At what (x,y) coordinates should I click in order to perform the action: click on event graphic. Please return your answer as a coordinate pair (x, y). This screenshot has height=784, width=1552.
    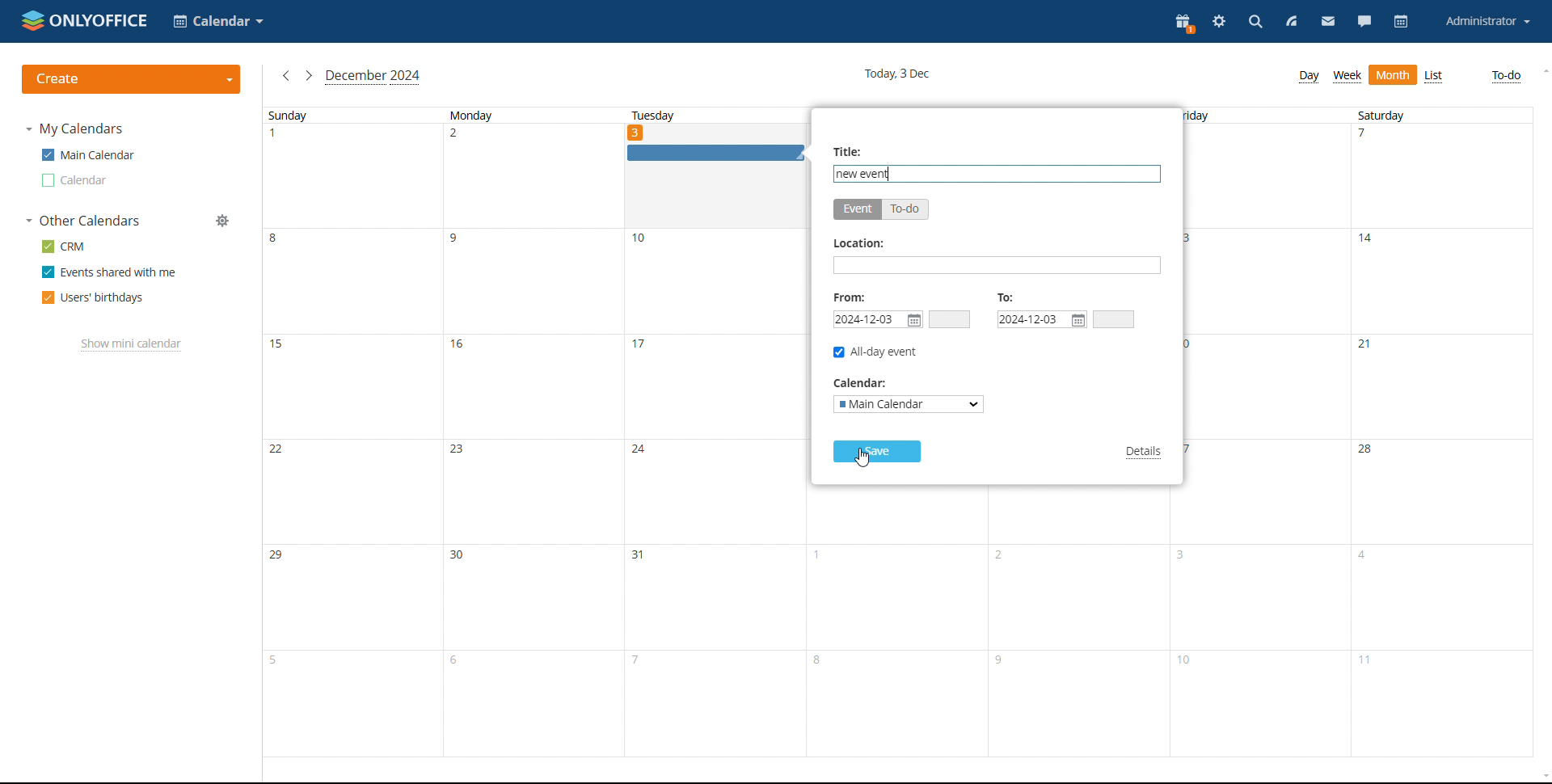
    Looking at the image, I should click on (712, 154).